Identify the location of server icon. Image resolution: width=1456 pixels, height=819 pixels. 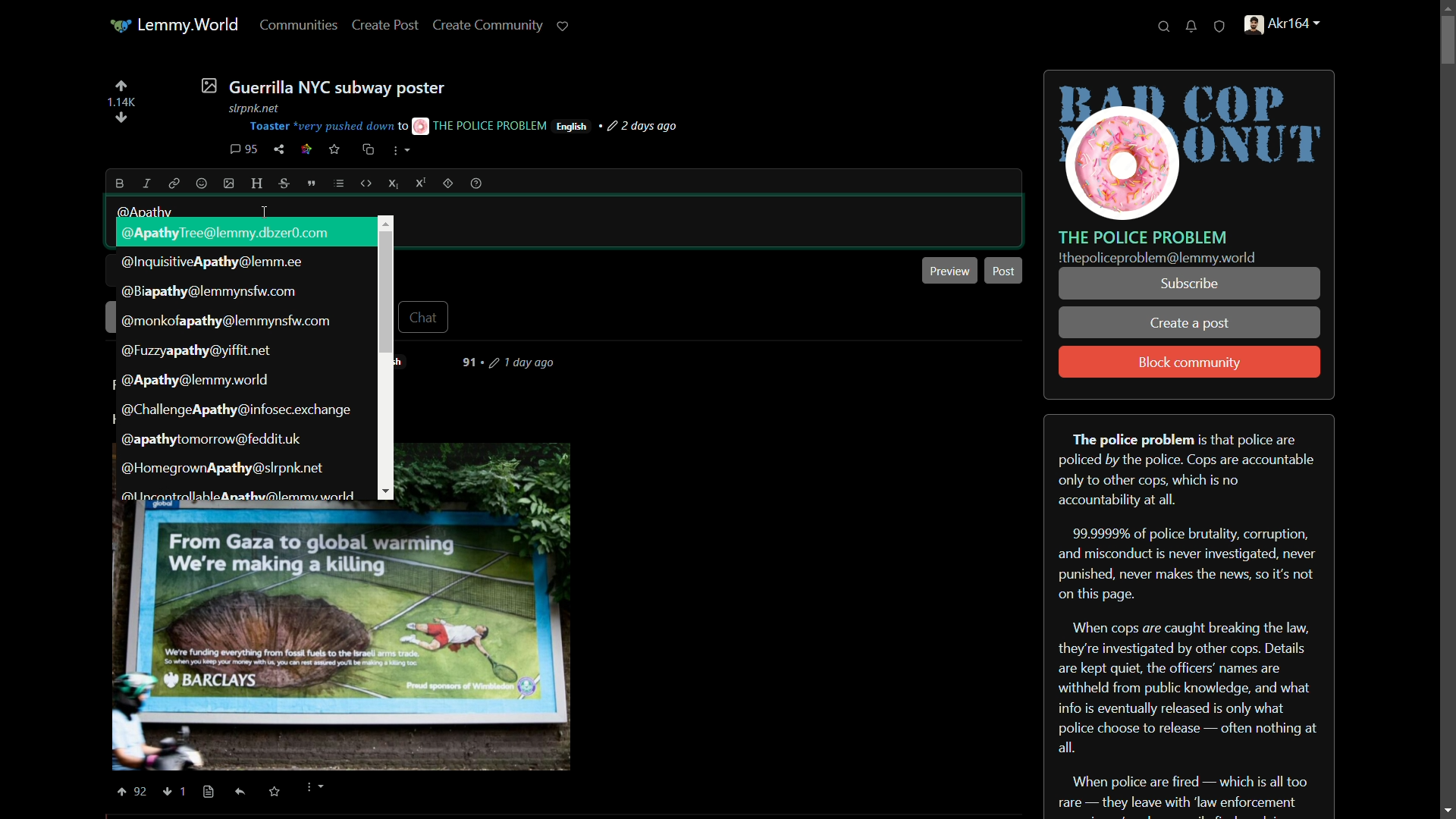
(1191, 146).